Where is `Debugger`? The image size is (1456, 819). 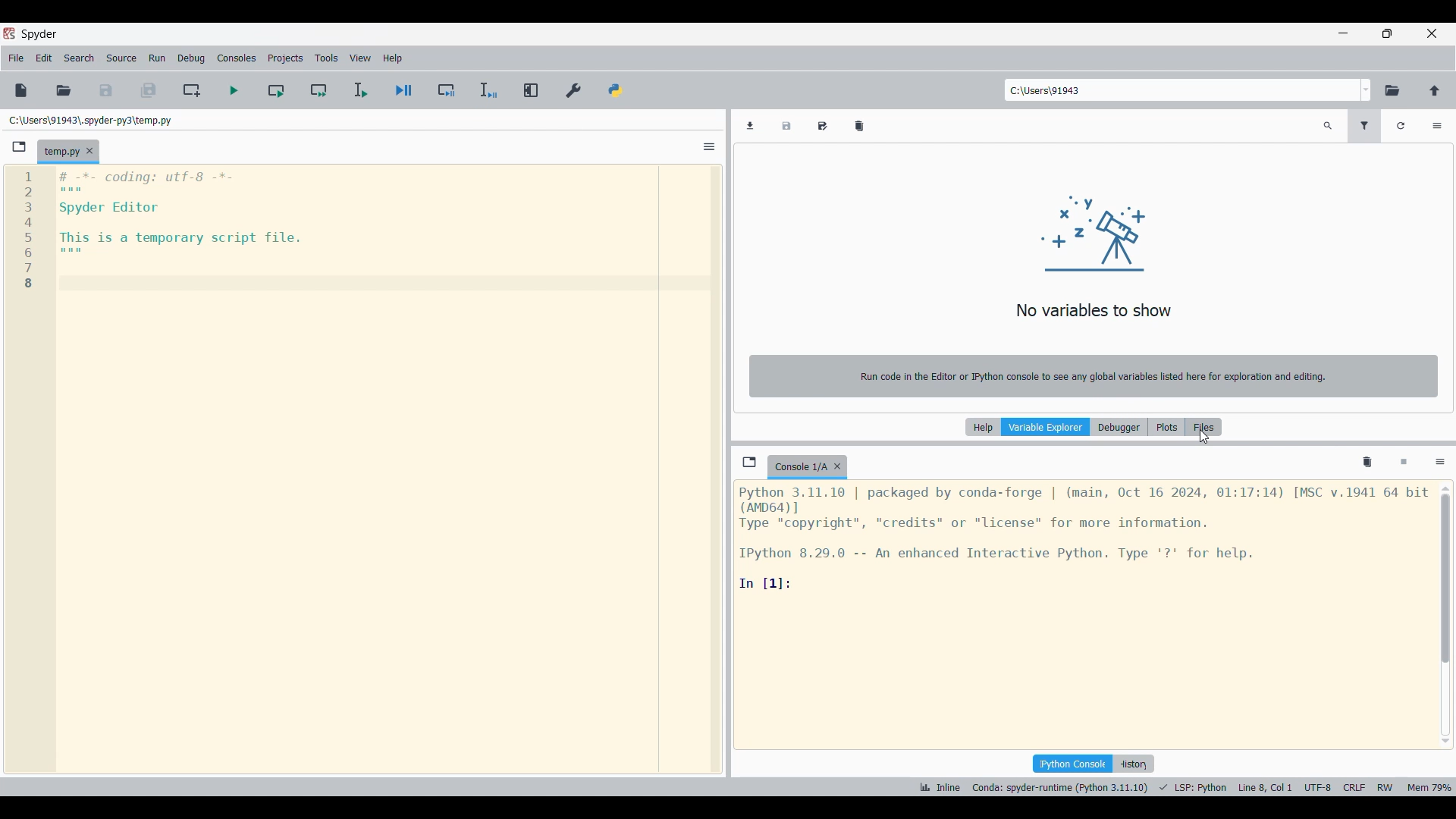
Debugger is located at coordinates (1119, 427).